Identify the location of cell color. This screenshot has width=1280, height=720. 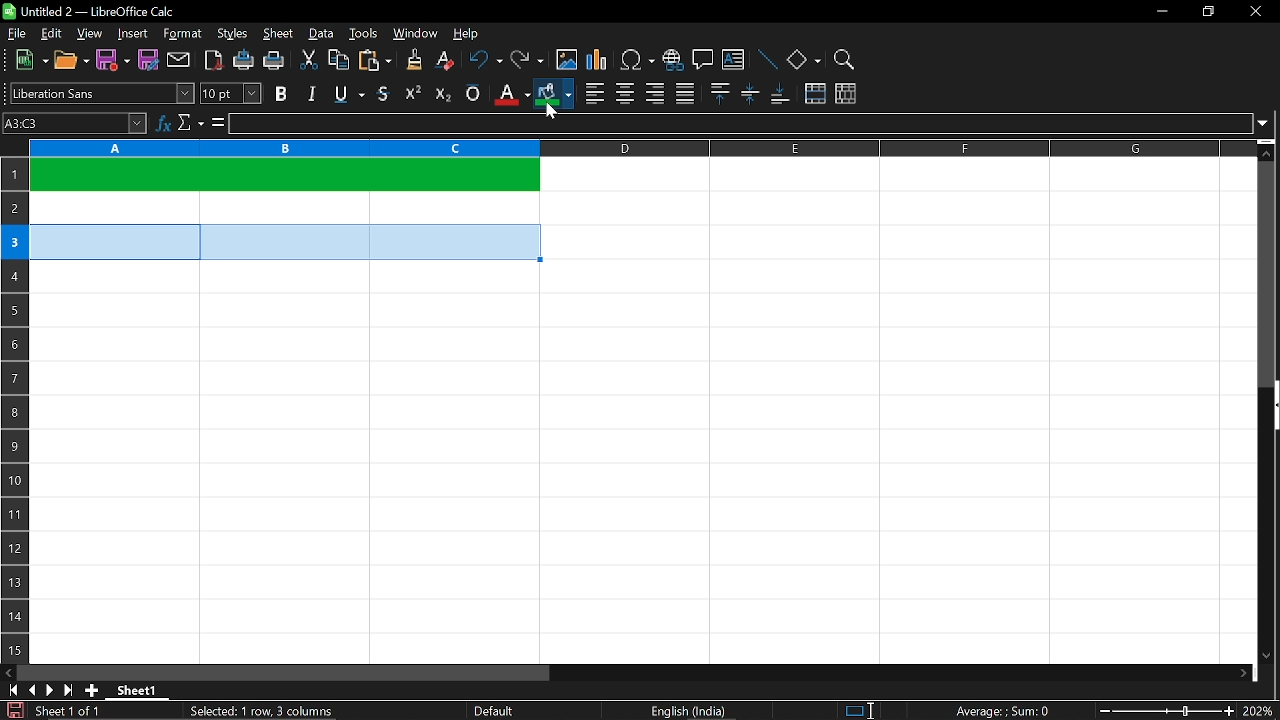
(553, 95).